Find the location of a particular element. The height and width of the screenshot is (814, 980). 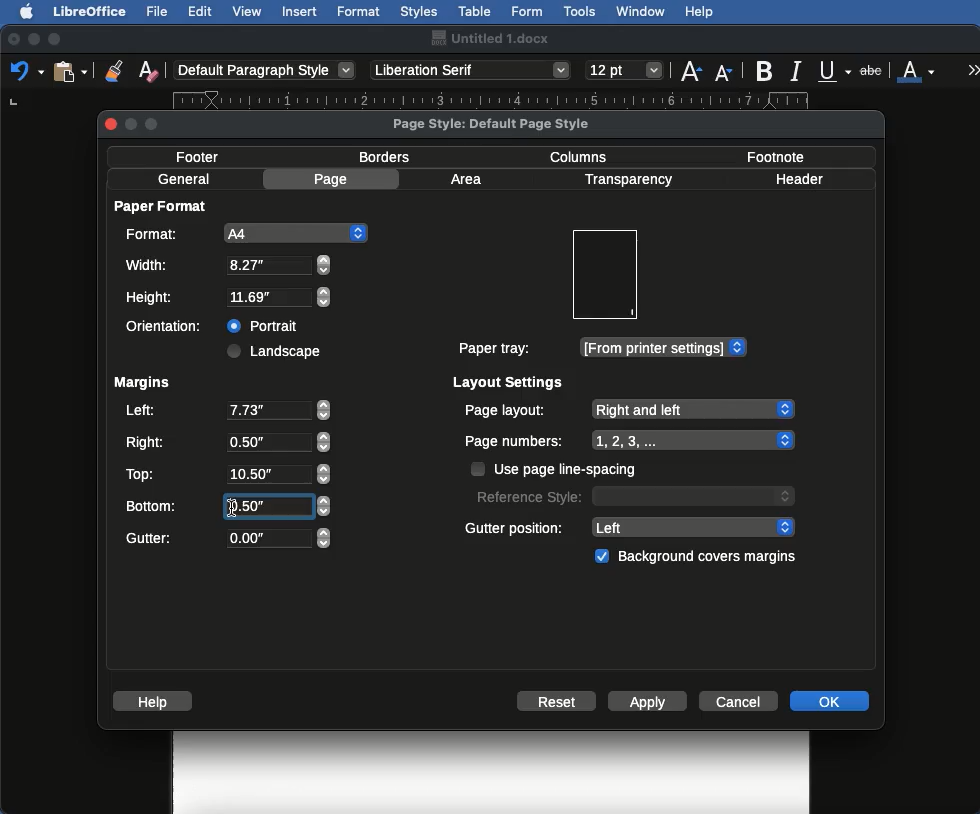

Window is located at coordinates (641, 12).